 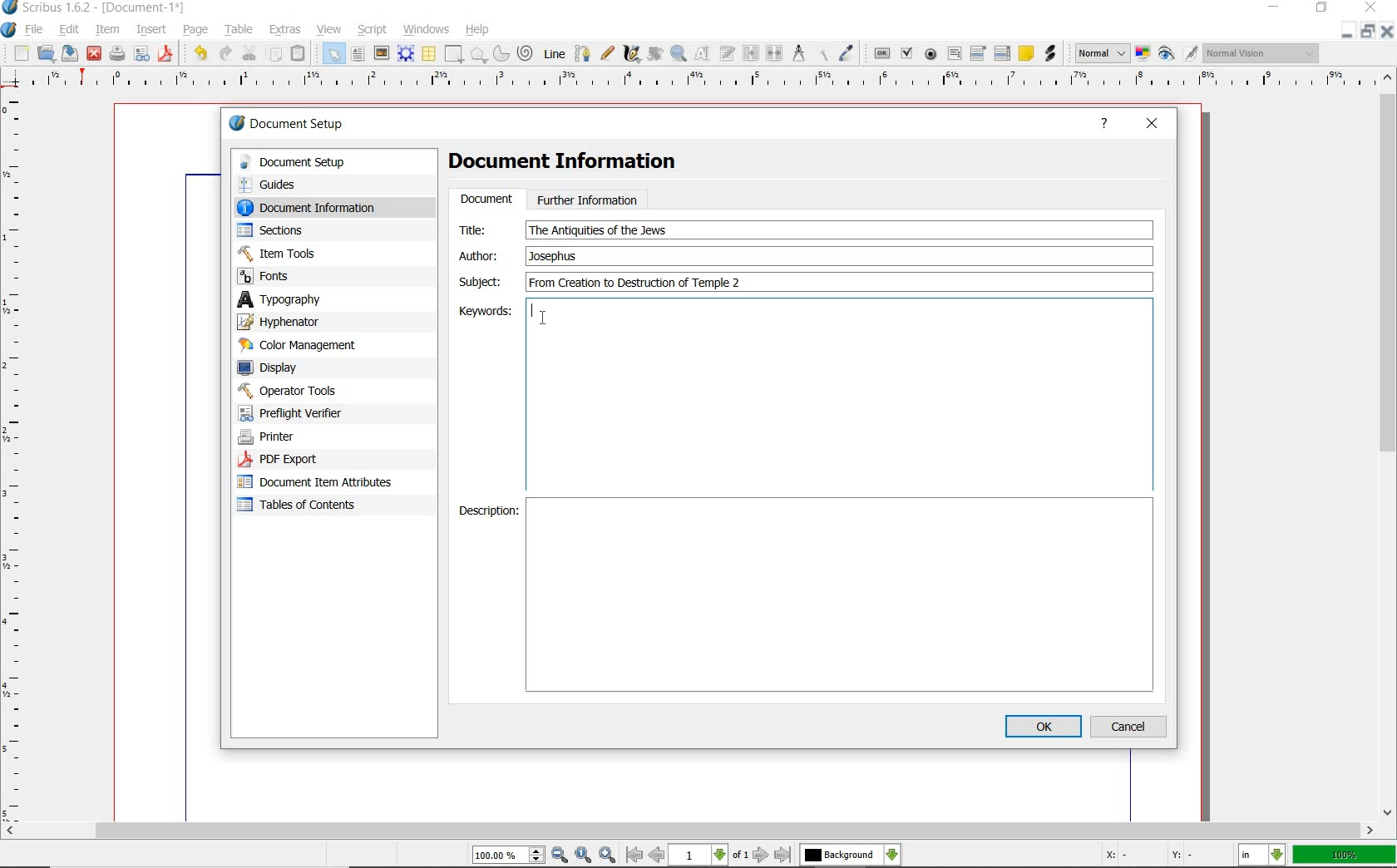 I want to click on select image preview mode, so click(x=1102, y=54).